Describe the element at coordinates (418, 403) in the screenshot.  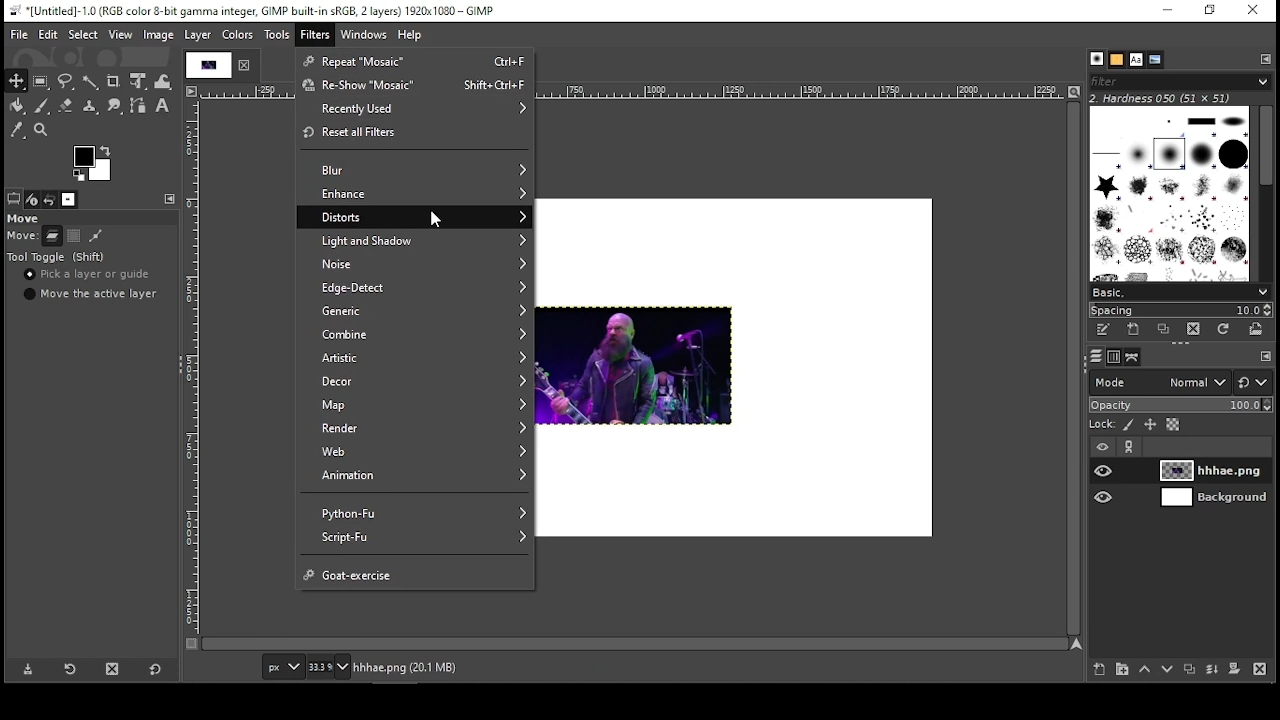
I see `map` at that location.